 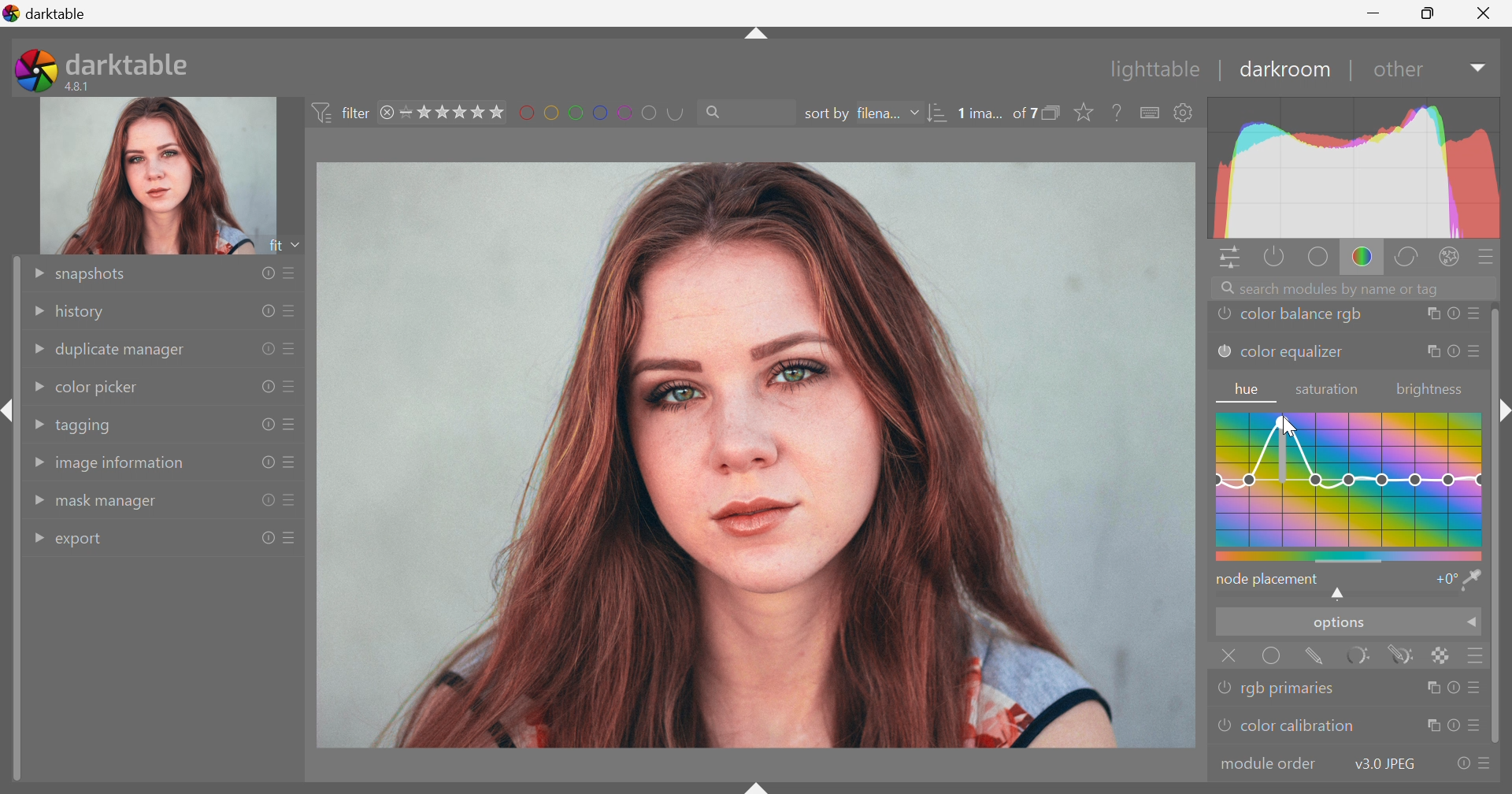 What do you see at coordinates (1473, 580) in the screenshot?
I see `pick hue from image and visualize it` at bounding box center [1473, 580].